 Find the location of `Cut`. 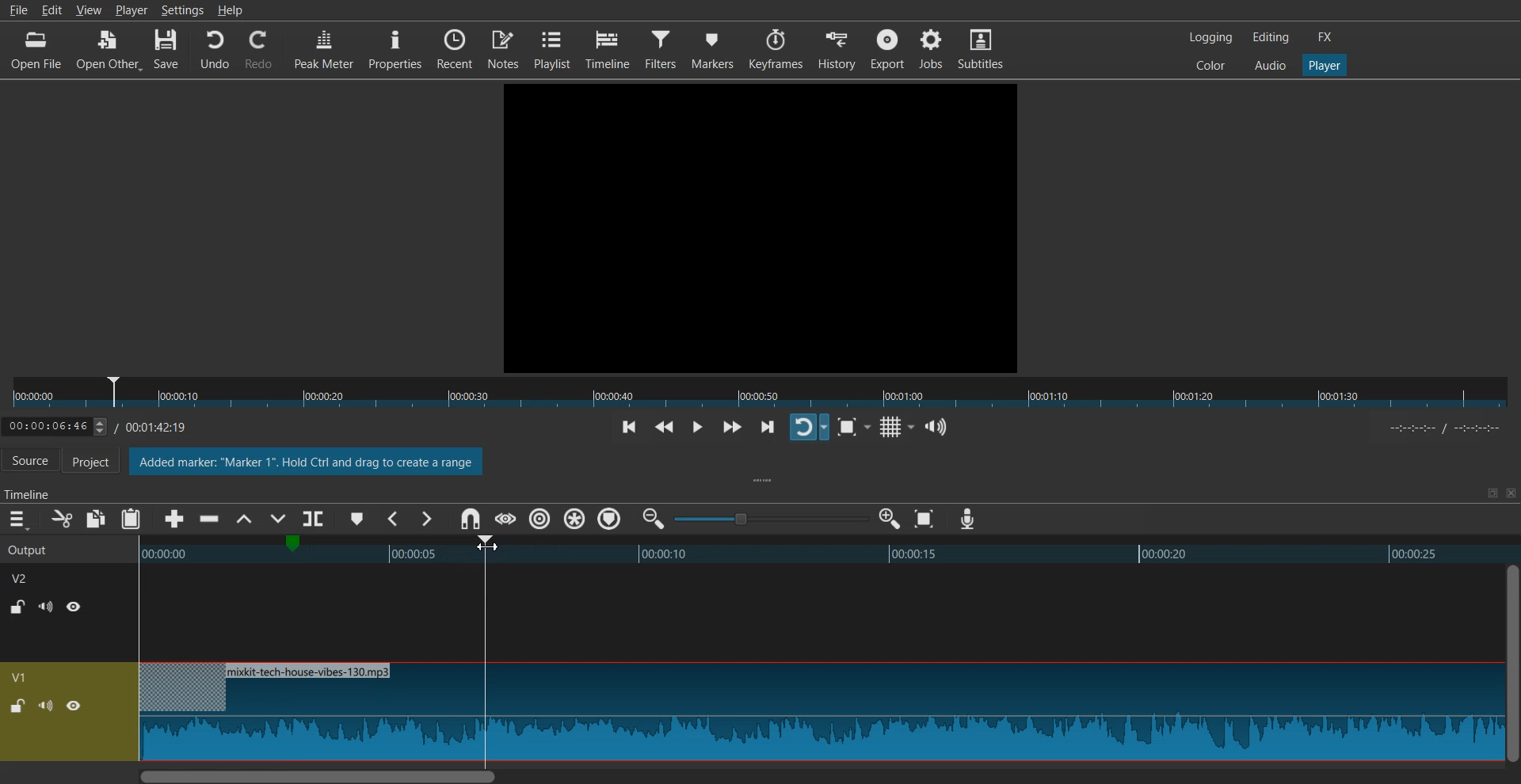

Cut is located at coordinates (62, 519).